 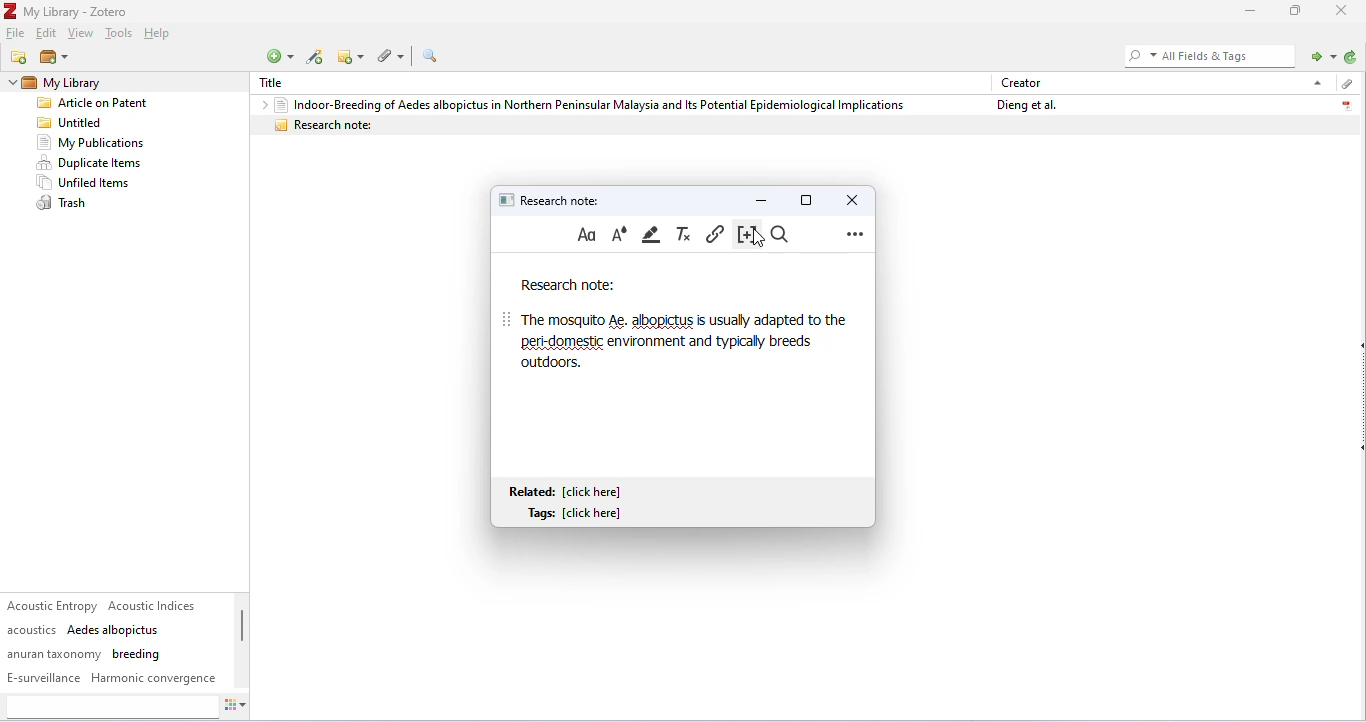 What do you see at coordinates (1207, 55) in the screenshot?
I see `all fields and tagd` at bounding box center [1207, 55].